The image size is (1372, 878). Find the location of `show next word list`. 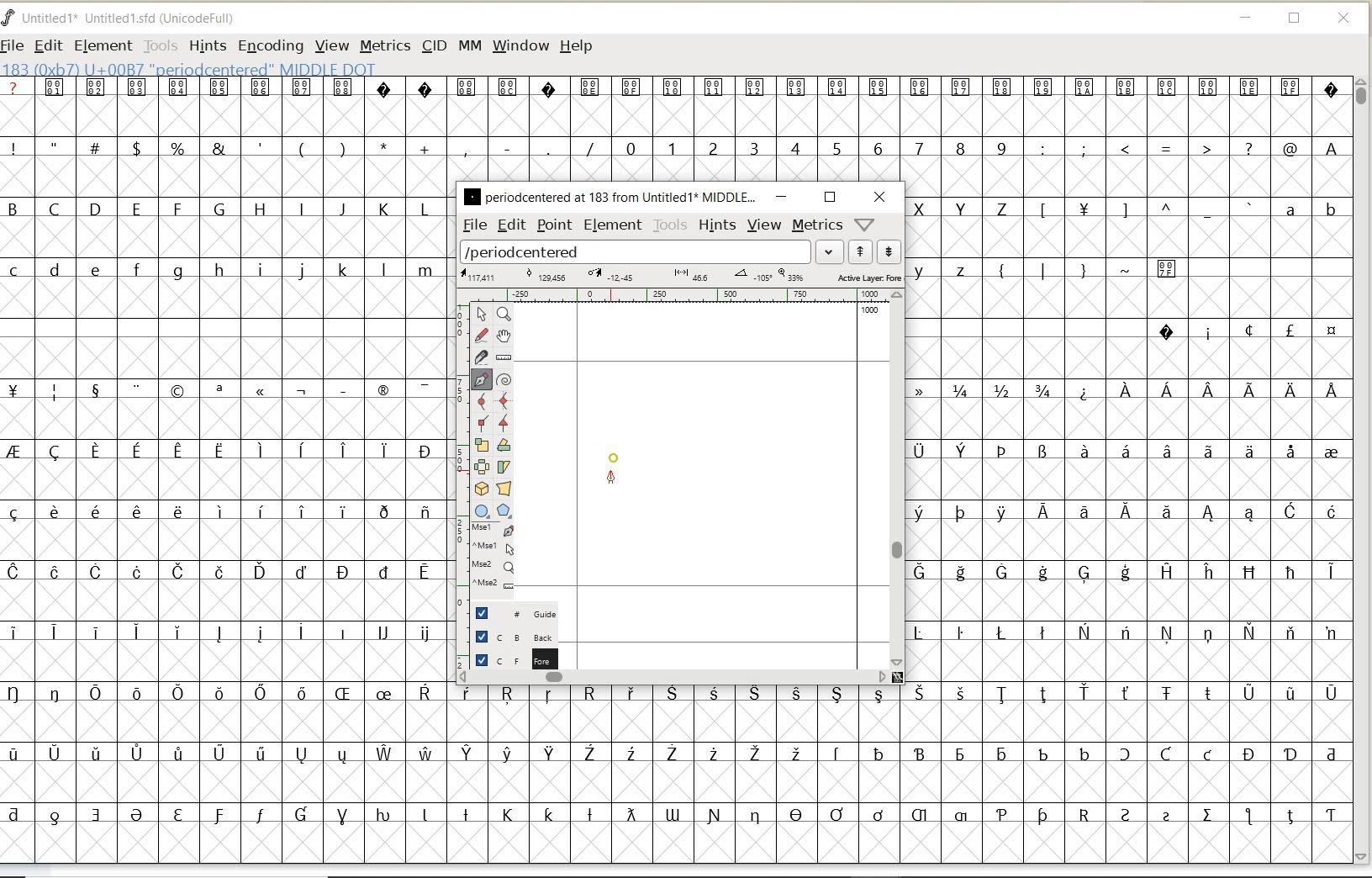

show next word list is located at coordinates (891, 252).